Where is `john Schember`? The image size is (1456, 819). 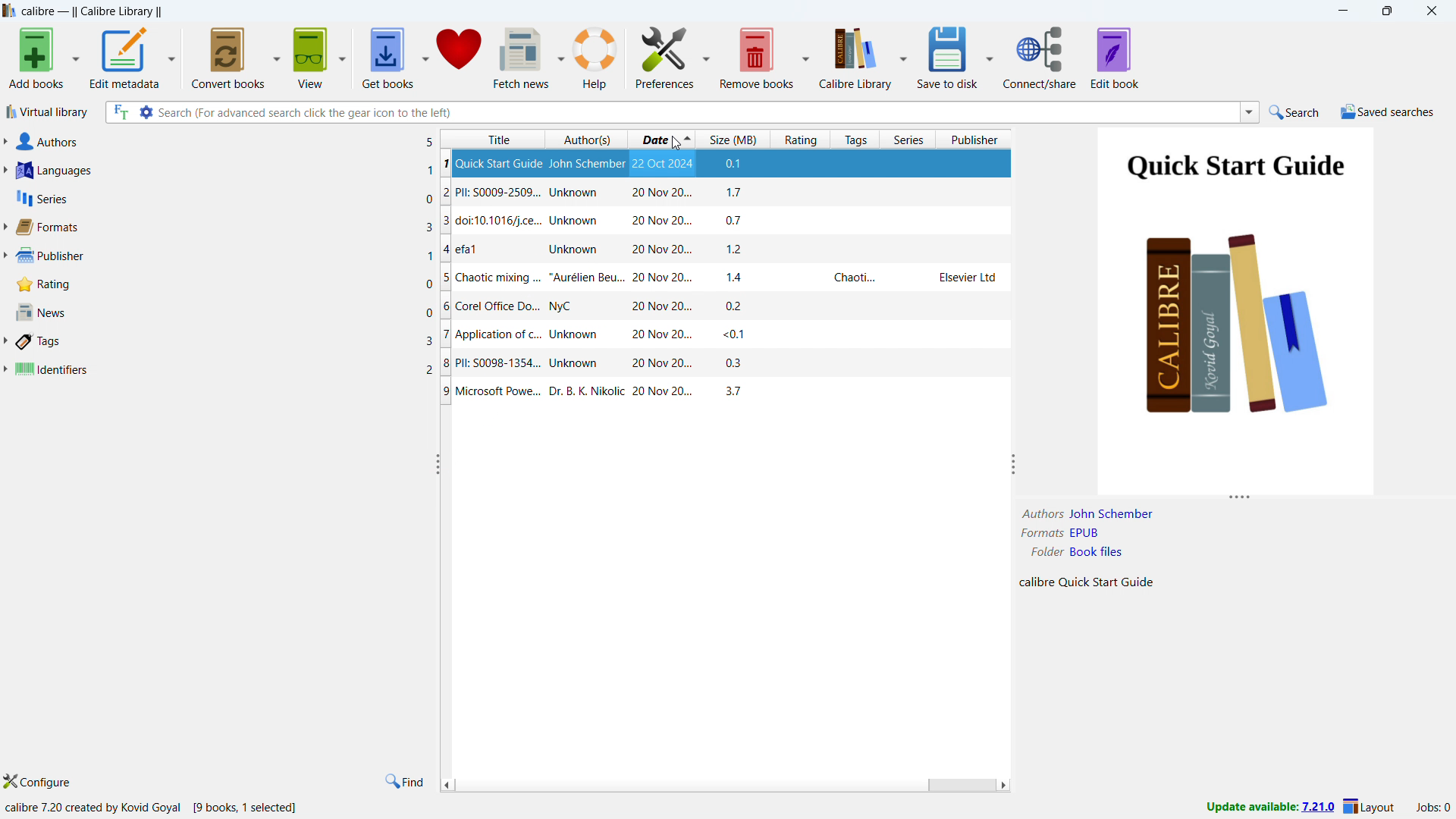 john Schember is located at coordinates (1110, 513).